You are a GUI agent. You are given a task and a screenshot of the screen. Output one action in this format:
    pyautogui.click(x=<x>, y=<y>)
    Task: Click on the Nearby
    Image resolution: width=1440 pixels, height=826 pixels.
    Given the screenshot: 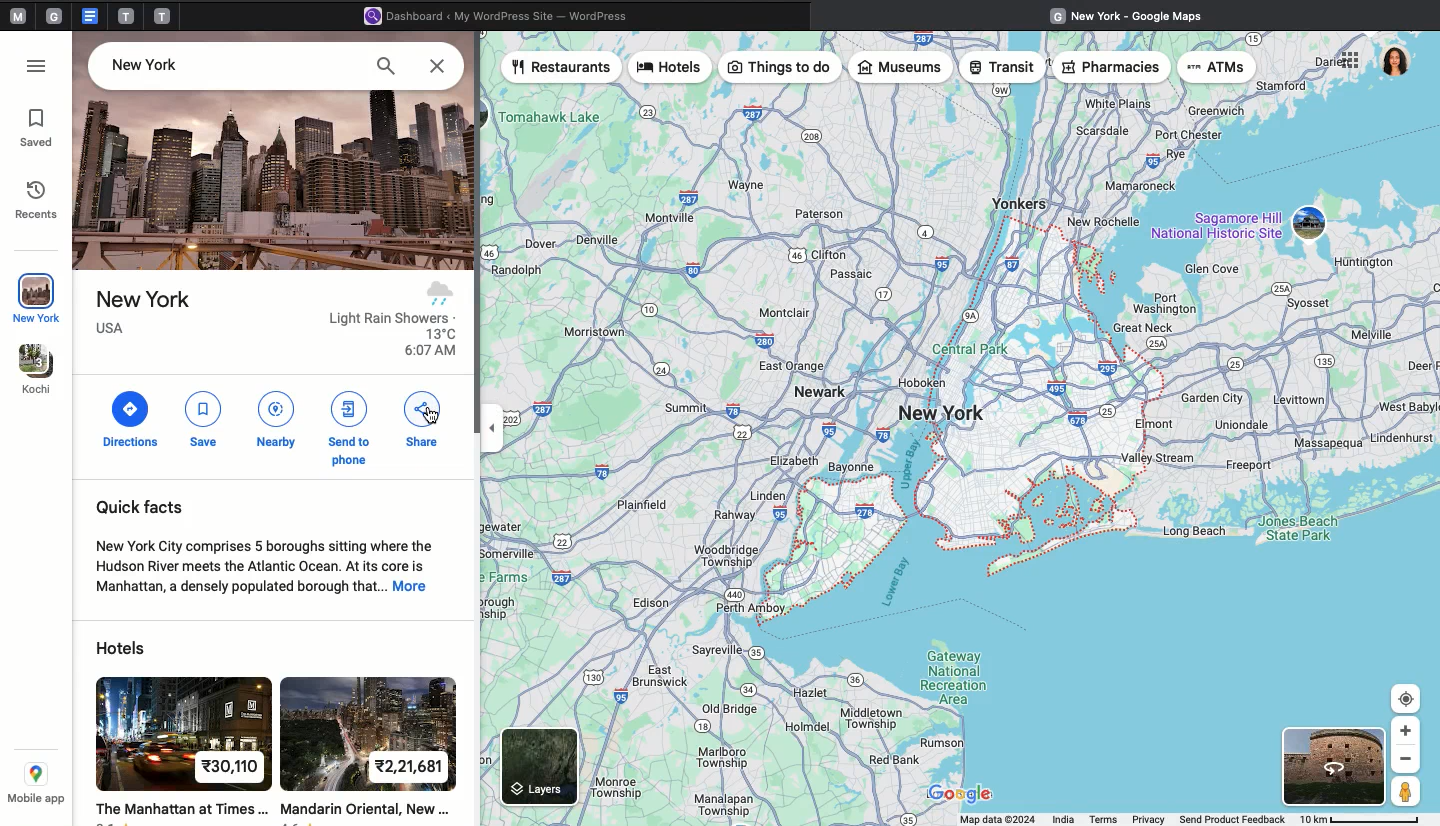 What is the action you would take?
    pyautogui.click(x=276, y=418)
    